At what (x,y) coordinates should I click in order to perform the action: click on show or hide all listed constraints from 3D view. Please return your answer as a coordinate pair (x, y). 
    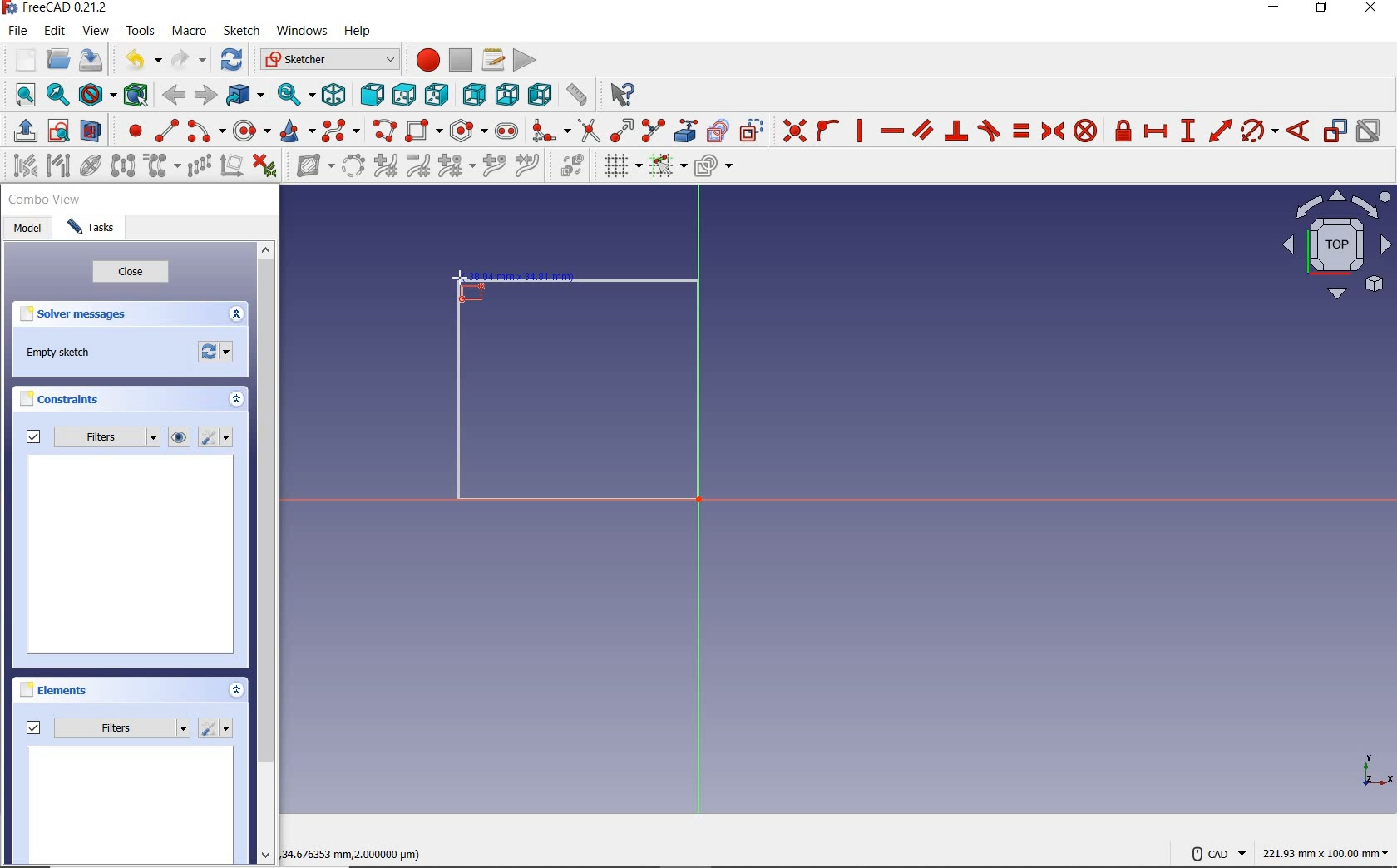
    Looking at the image, I should click on (180, 437).